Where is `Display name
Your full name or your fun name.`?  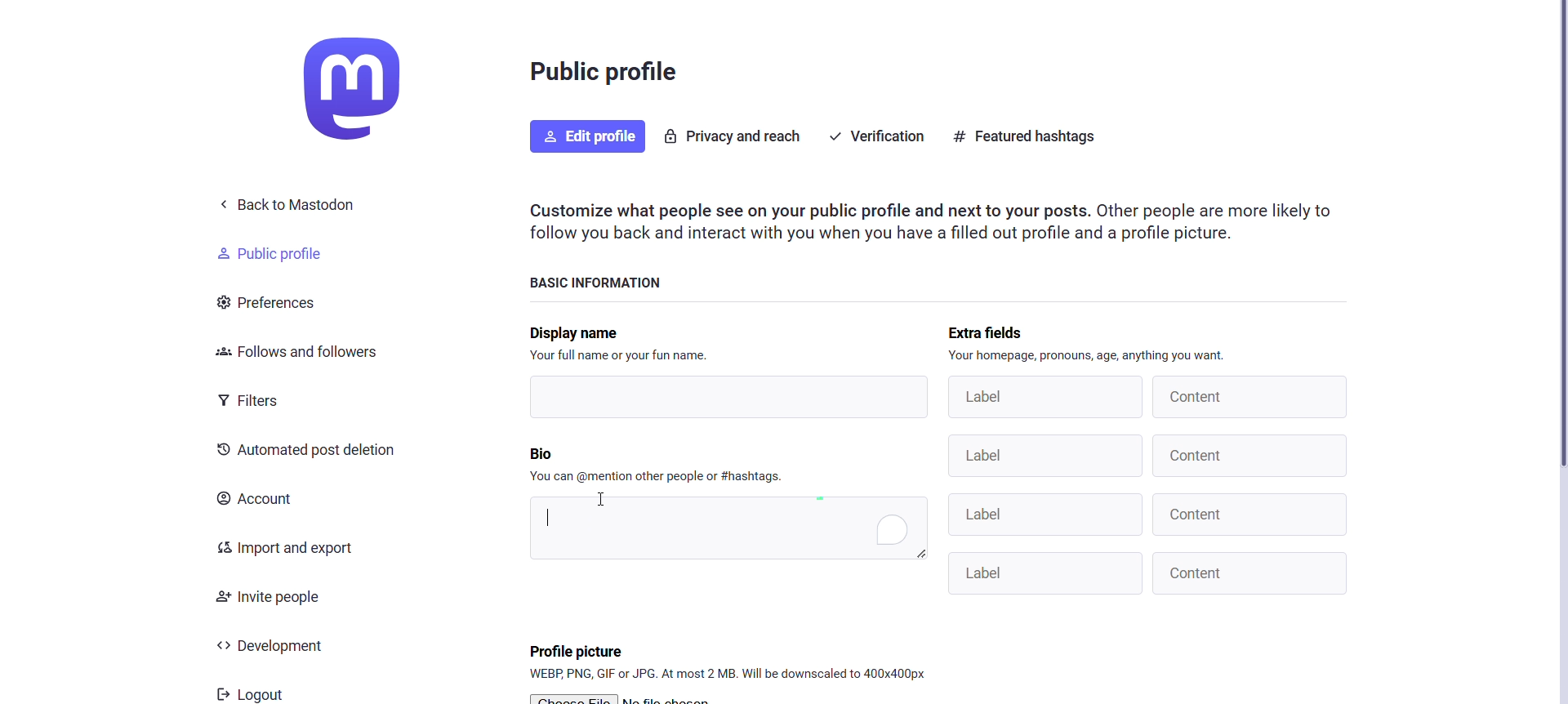 Display name
Your full name or your fun name. is located at coordinates (612, 343).